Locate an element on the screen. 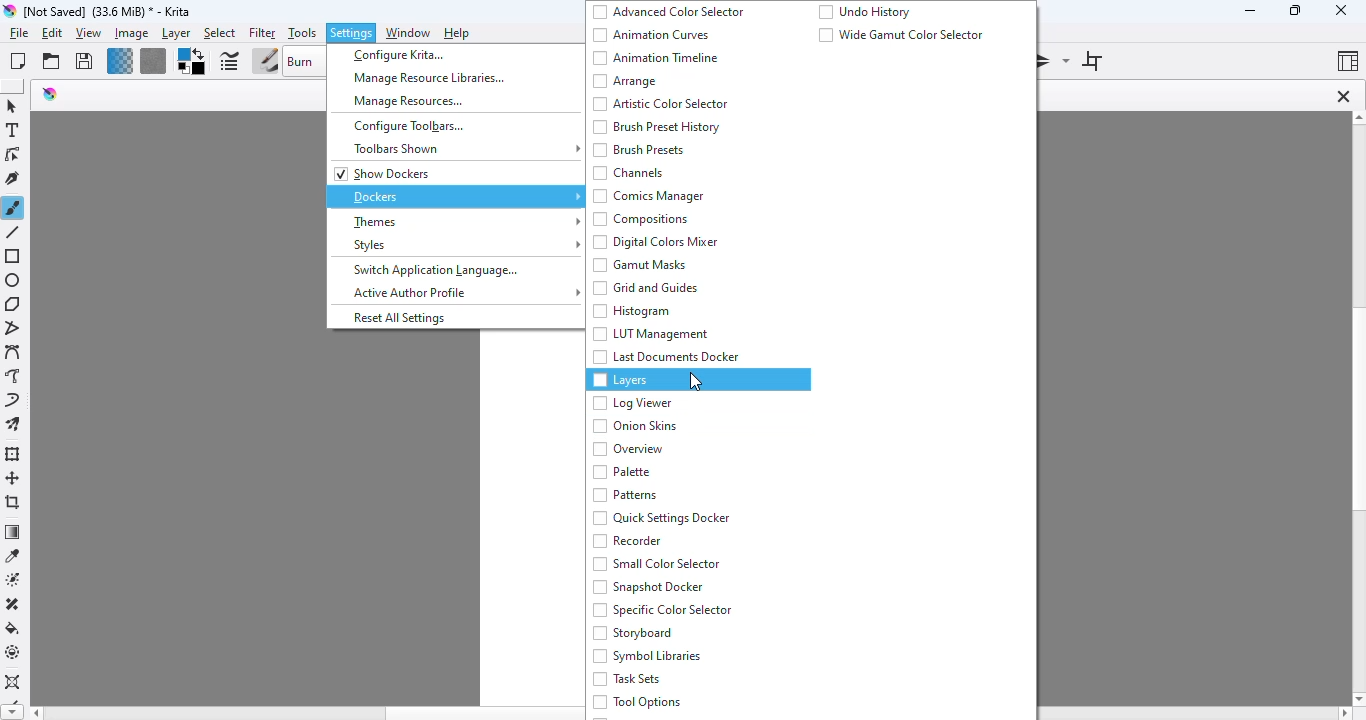 The image size is (1366, 720). fill gradients is located at coordinates (120, 61).